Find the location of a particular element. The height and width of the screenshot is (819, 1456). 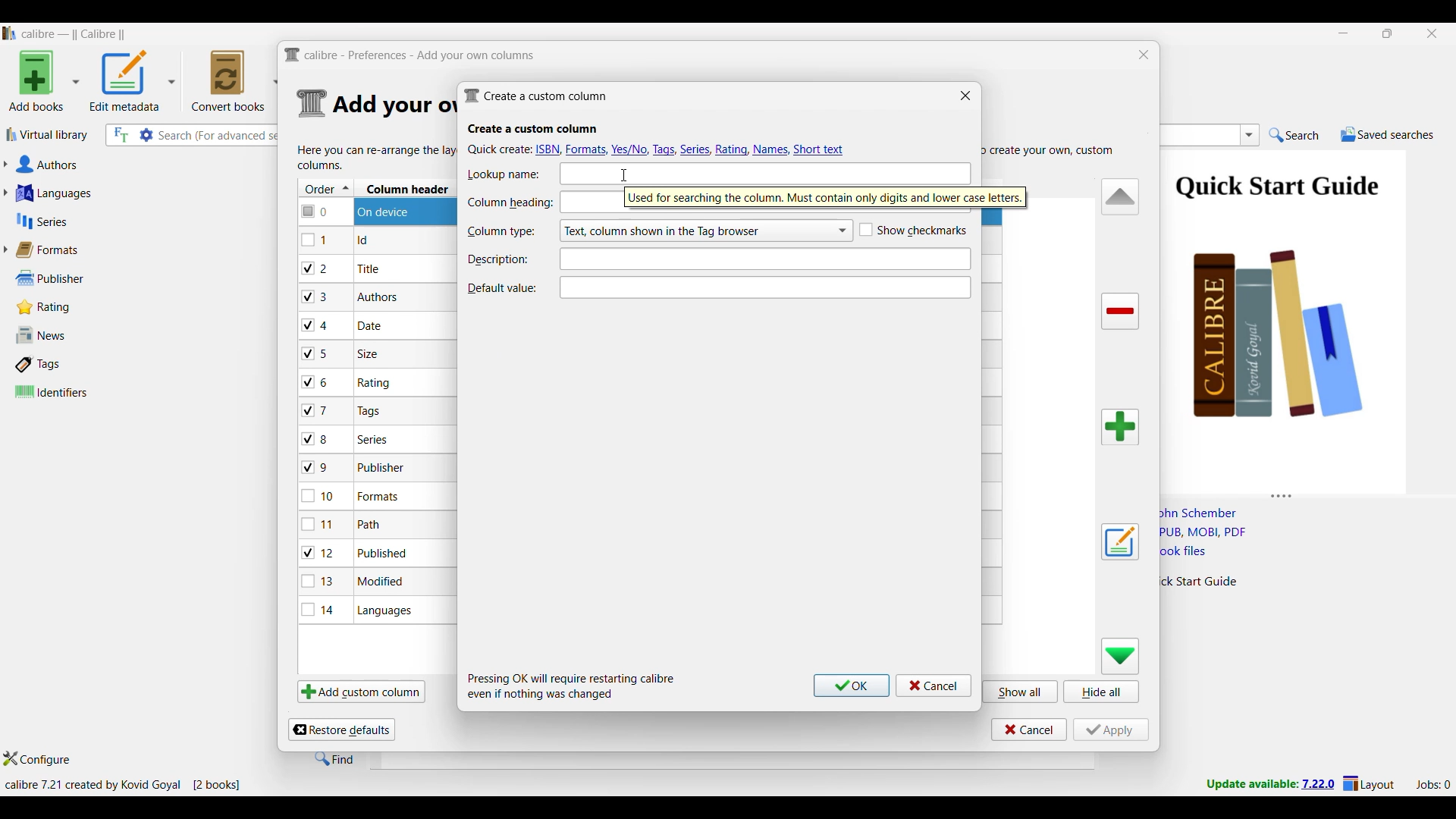

Text is located at coordinates (764, 288).